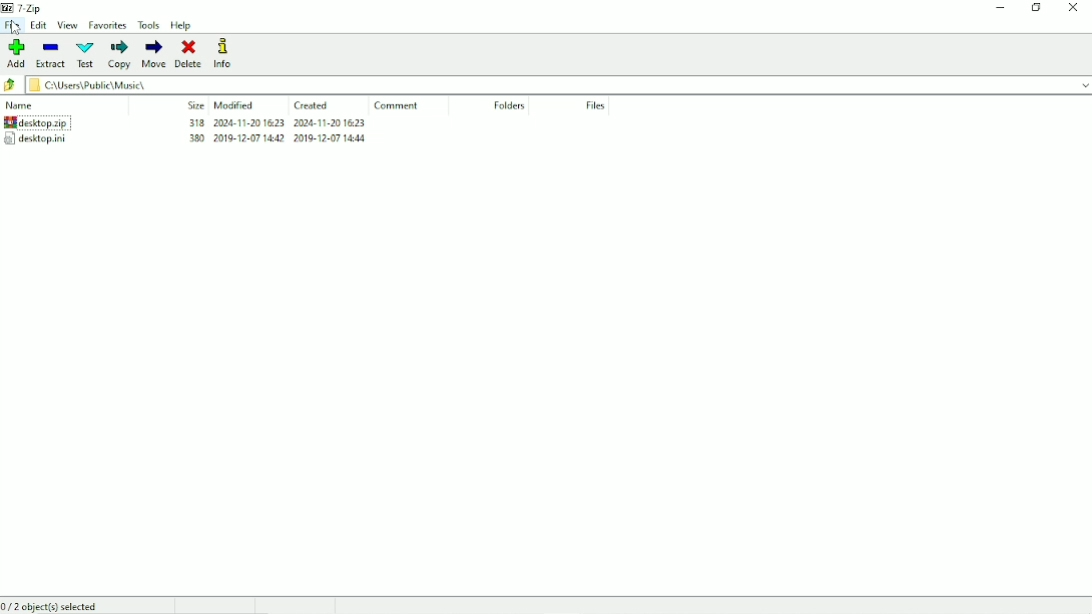  I want to click on Help, so click(182, 26).